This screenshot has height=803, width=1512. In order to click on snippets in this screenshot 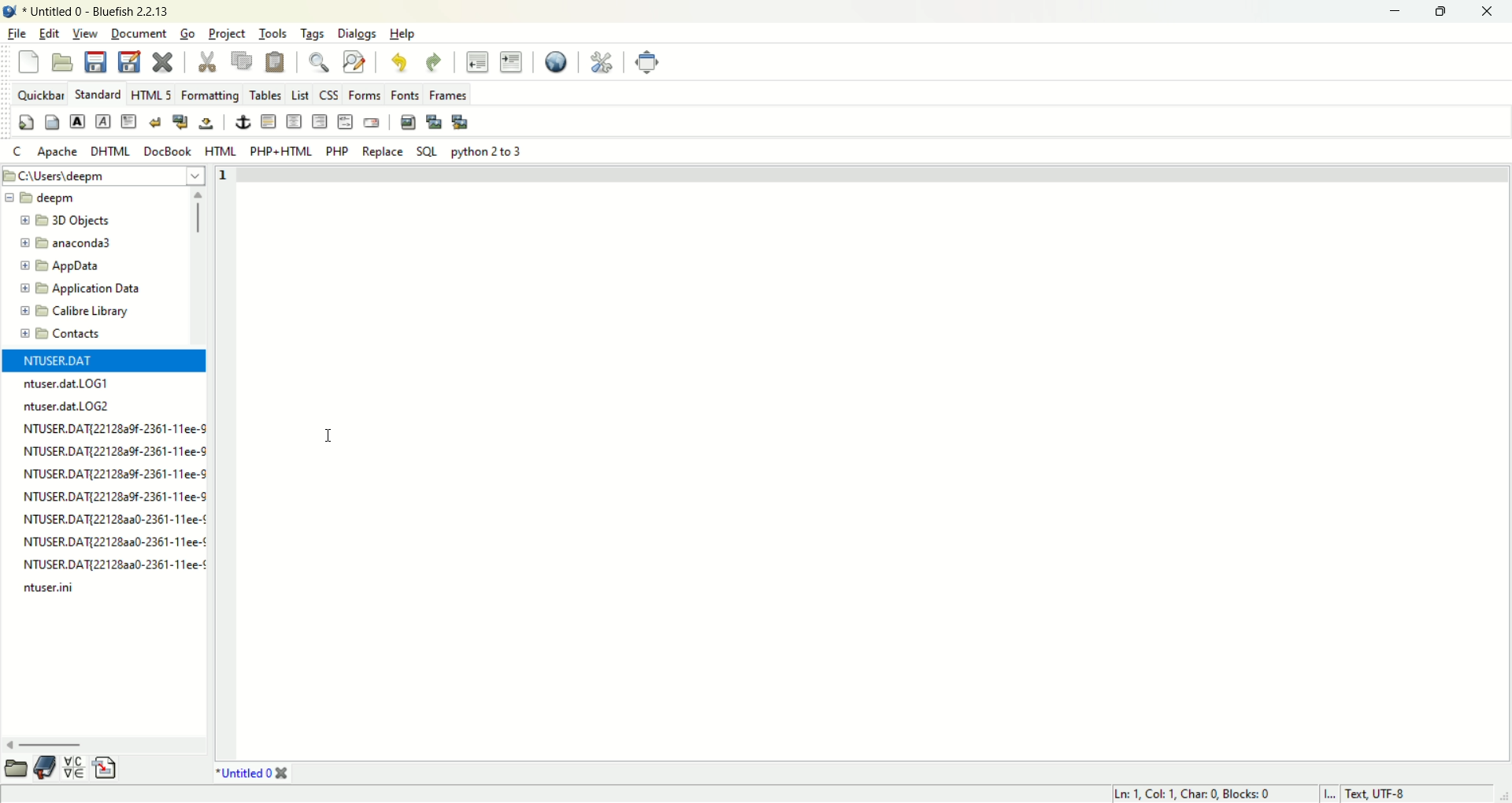, I will do `click(106, 768)`.